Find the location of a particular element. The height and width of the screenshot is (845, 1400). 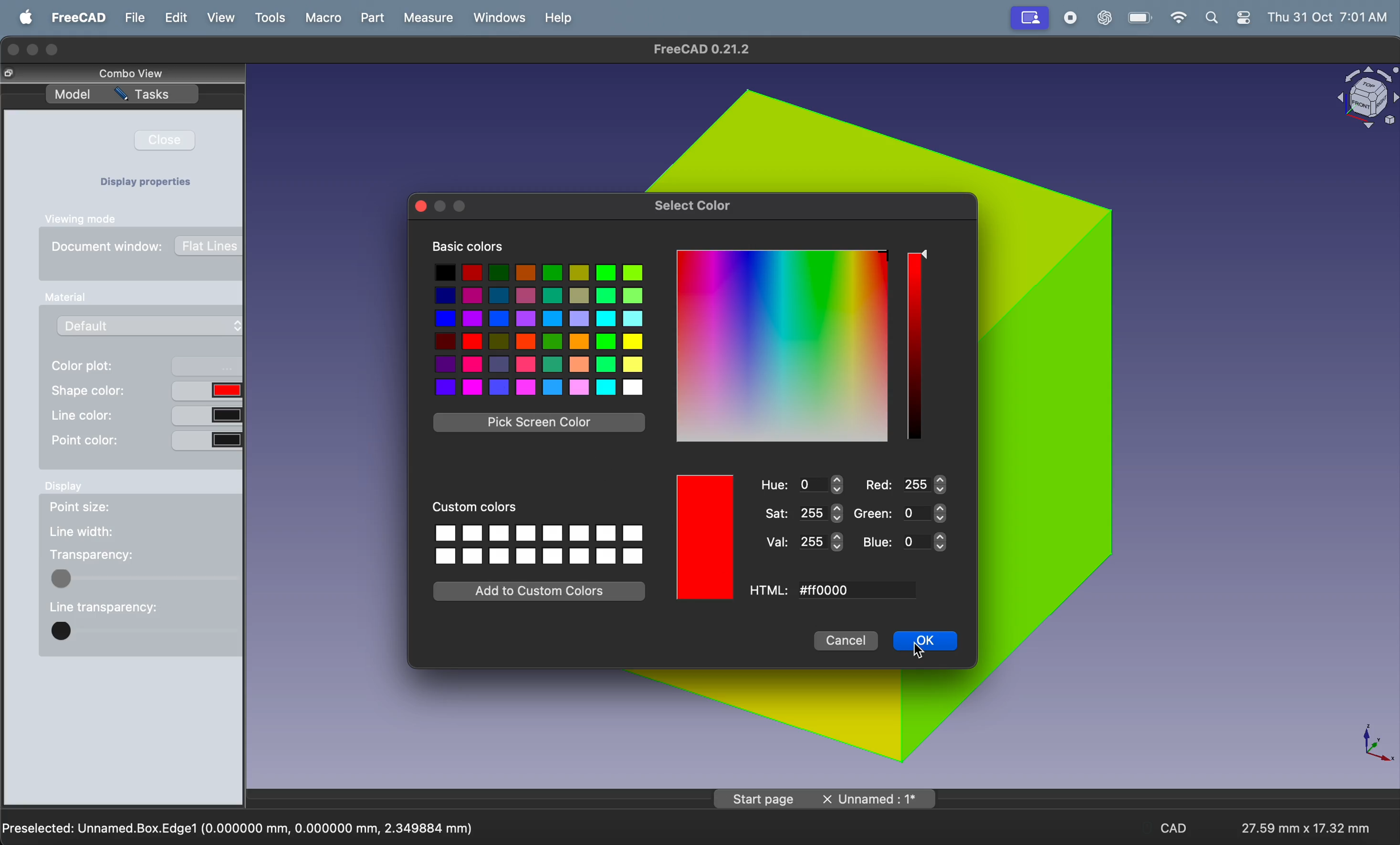

combo view is located at coordinates (134, 73).